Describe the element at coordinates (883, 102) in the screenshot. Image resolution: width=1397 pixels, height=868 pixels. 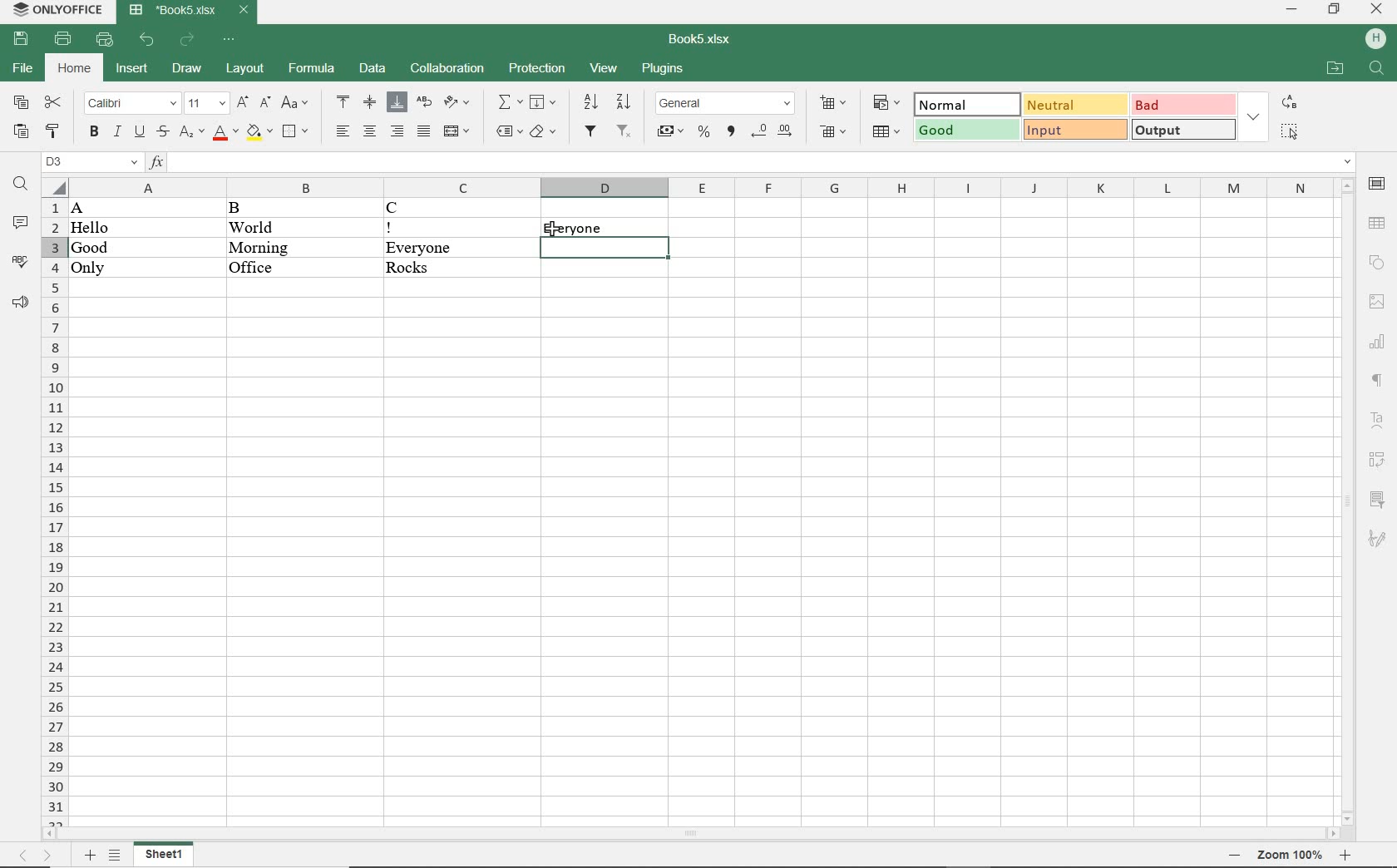
I see `conditional formatting` at that location.